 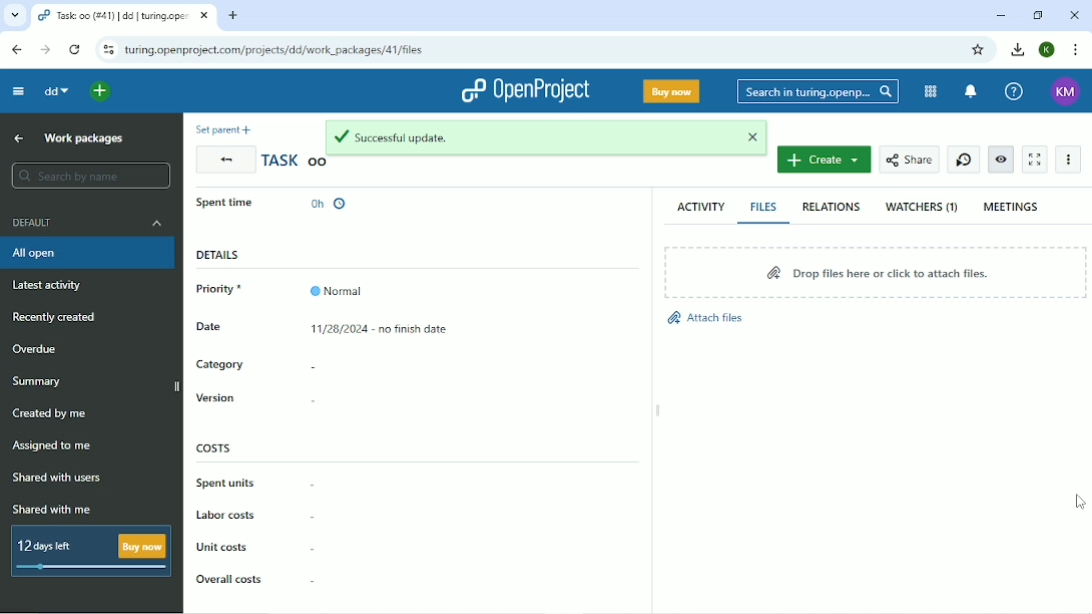 I want to click on Back, so click(x=18, y=50).